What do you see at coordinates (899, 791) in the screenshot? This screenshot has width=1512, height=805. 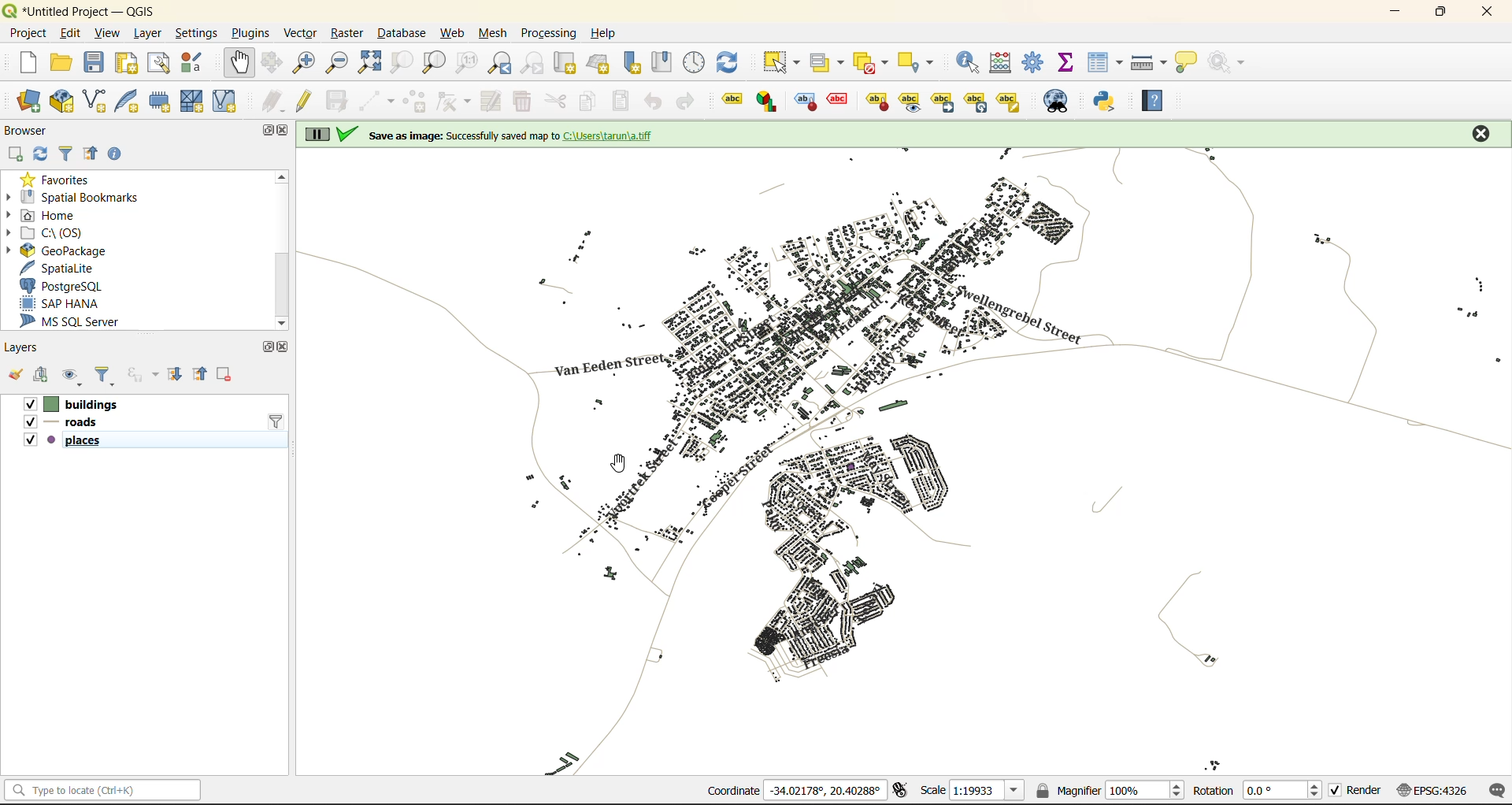 I see `toggle extents` at bounding box center [899, 791].